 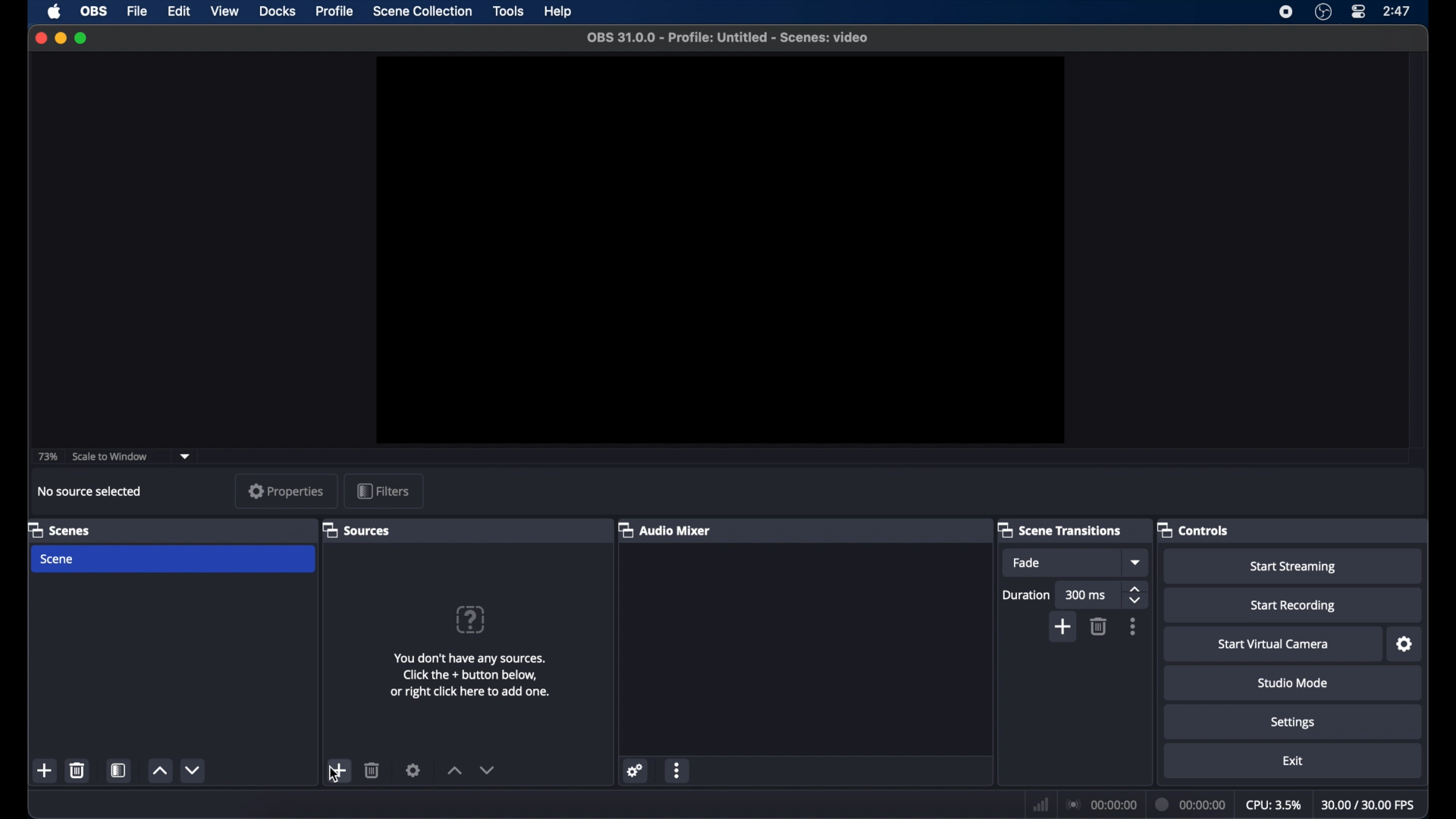 I want to click on settings, so click(x=413, y=770).